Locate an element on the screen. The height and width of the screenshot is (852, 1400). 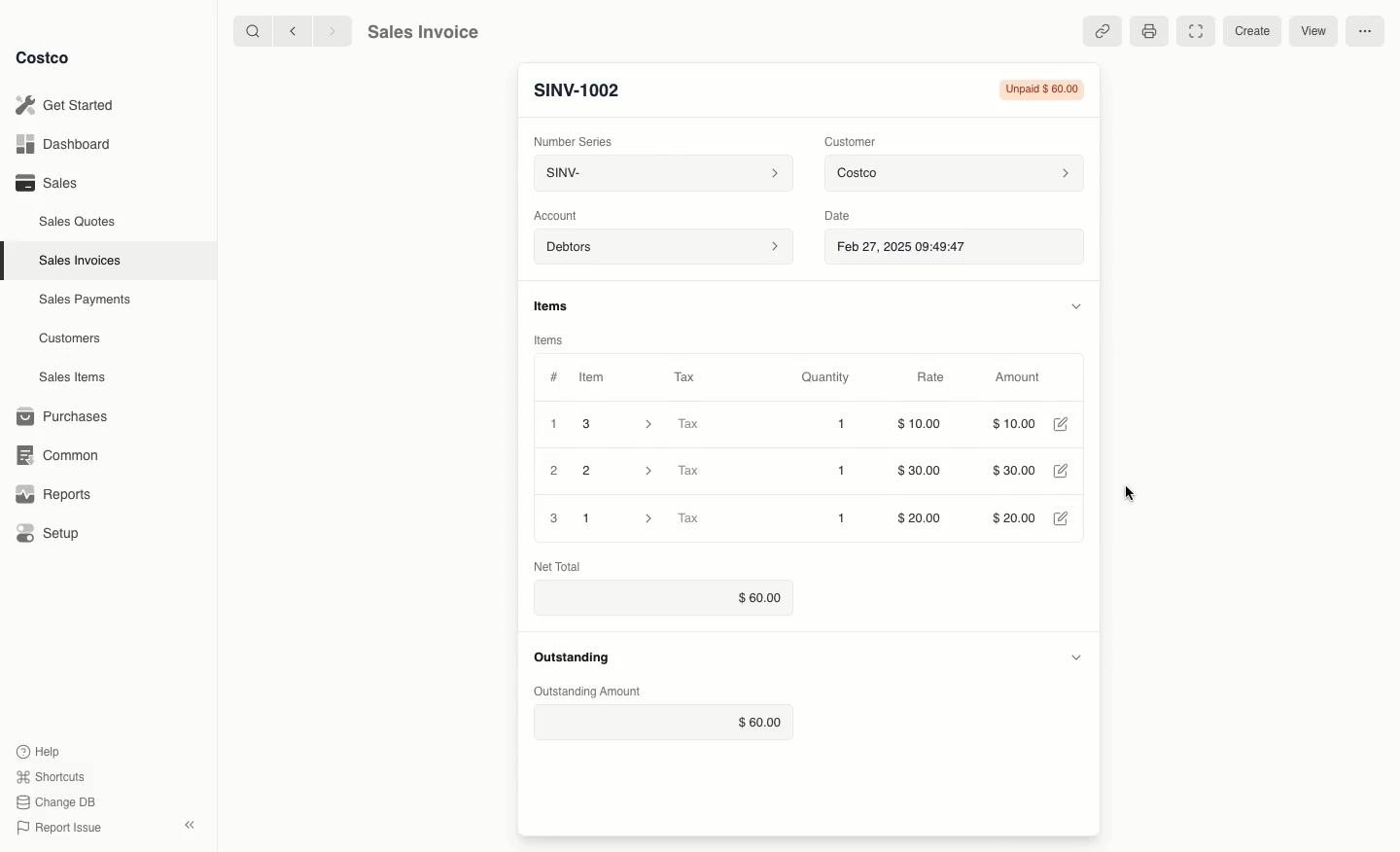
$10.00 is located at coordinates (1010, 423).